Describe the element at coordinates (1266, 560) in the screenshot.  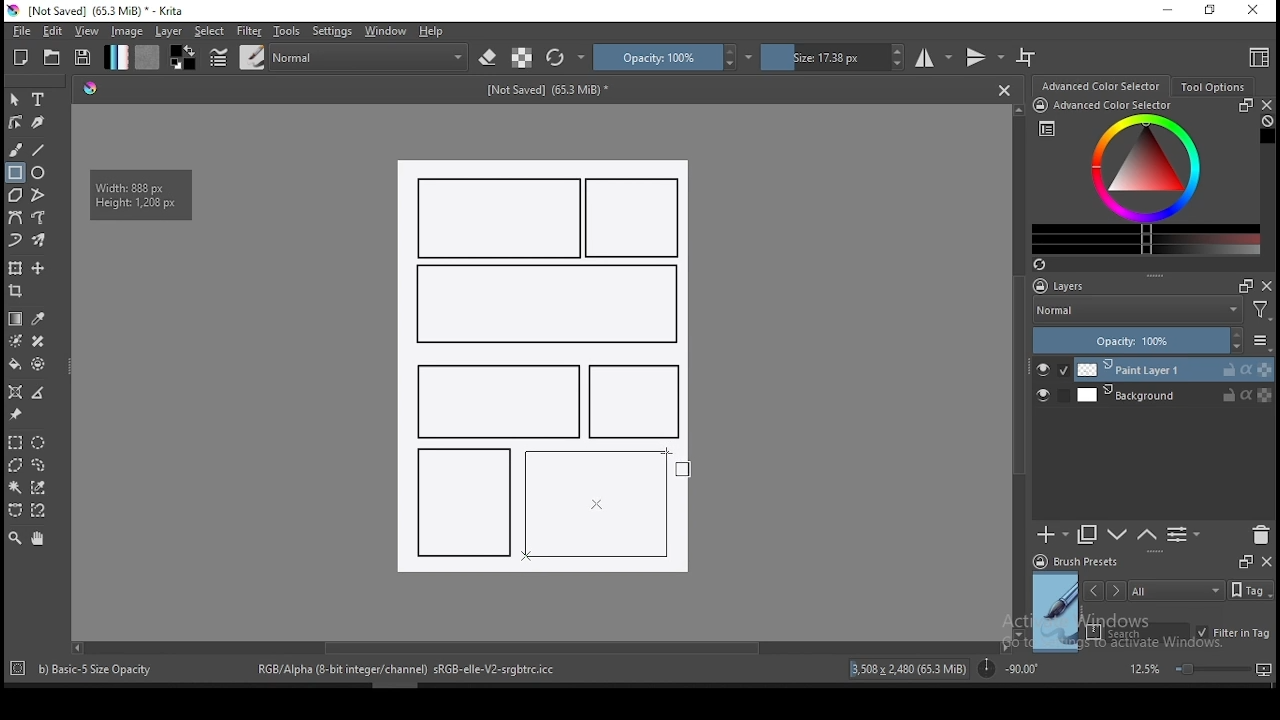
I see `close docker` at that location.